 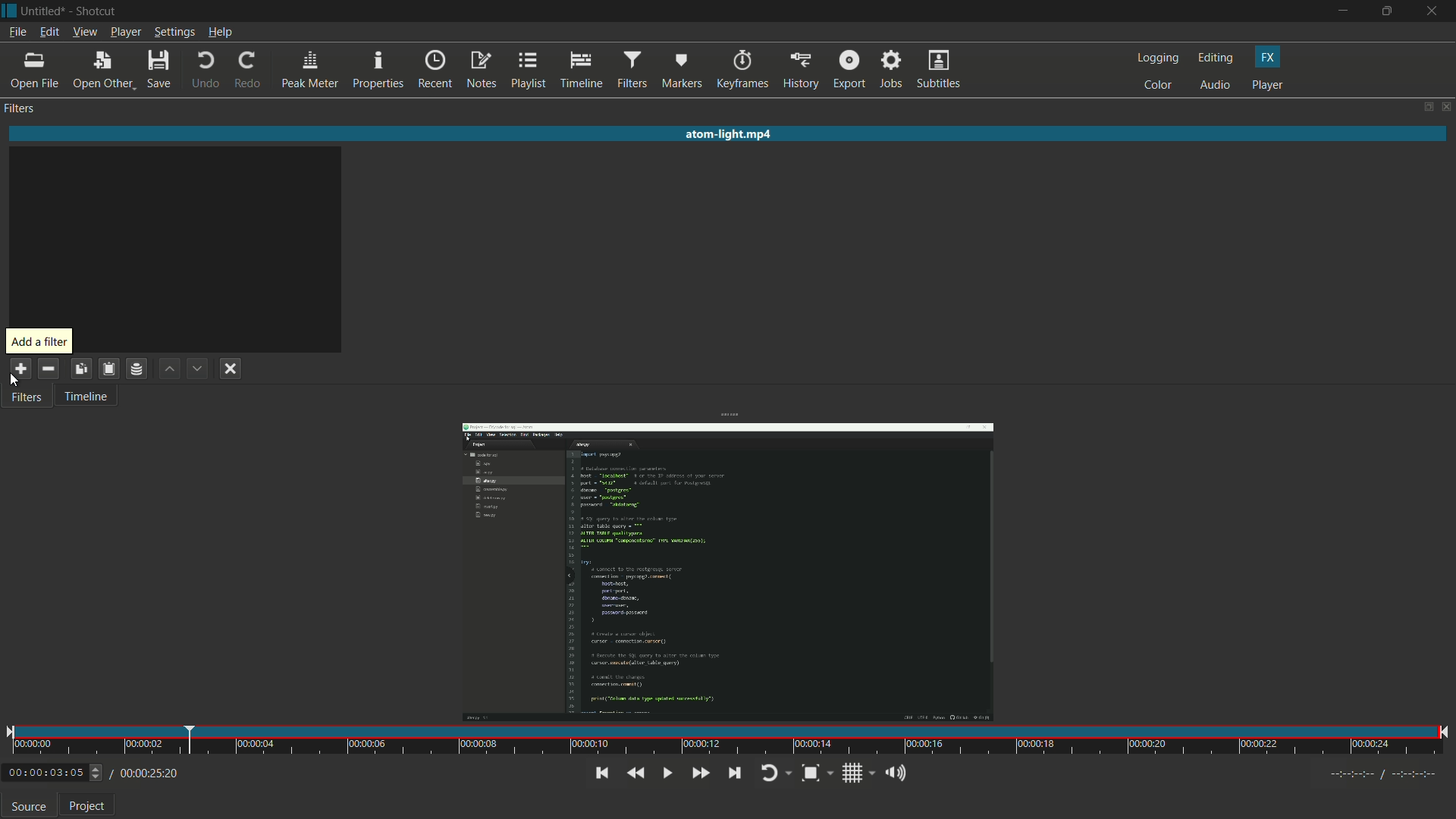 What do you see at coordinates (1389, 11) in the screenshot?
I see `maximize` at bounding box center [1389, 11].